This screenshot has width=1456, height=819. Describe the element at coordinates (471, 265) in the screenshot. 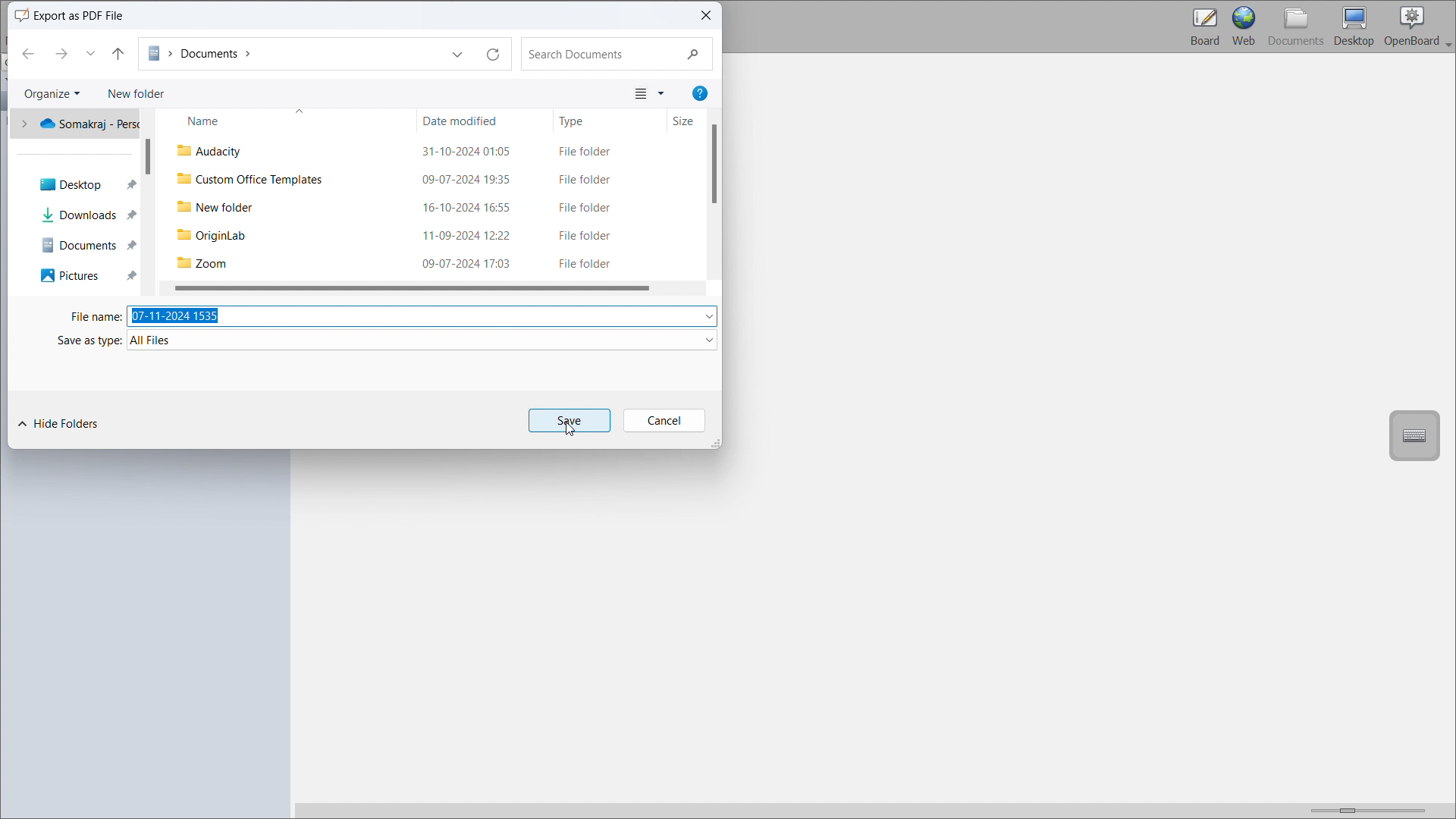

I see `09-07-2024 17:03` at that location.